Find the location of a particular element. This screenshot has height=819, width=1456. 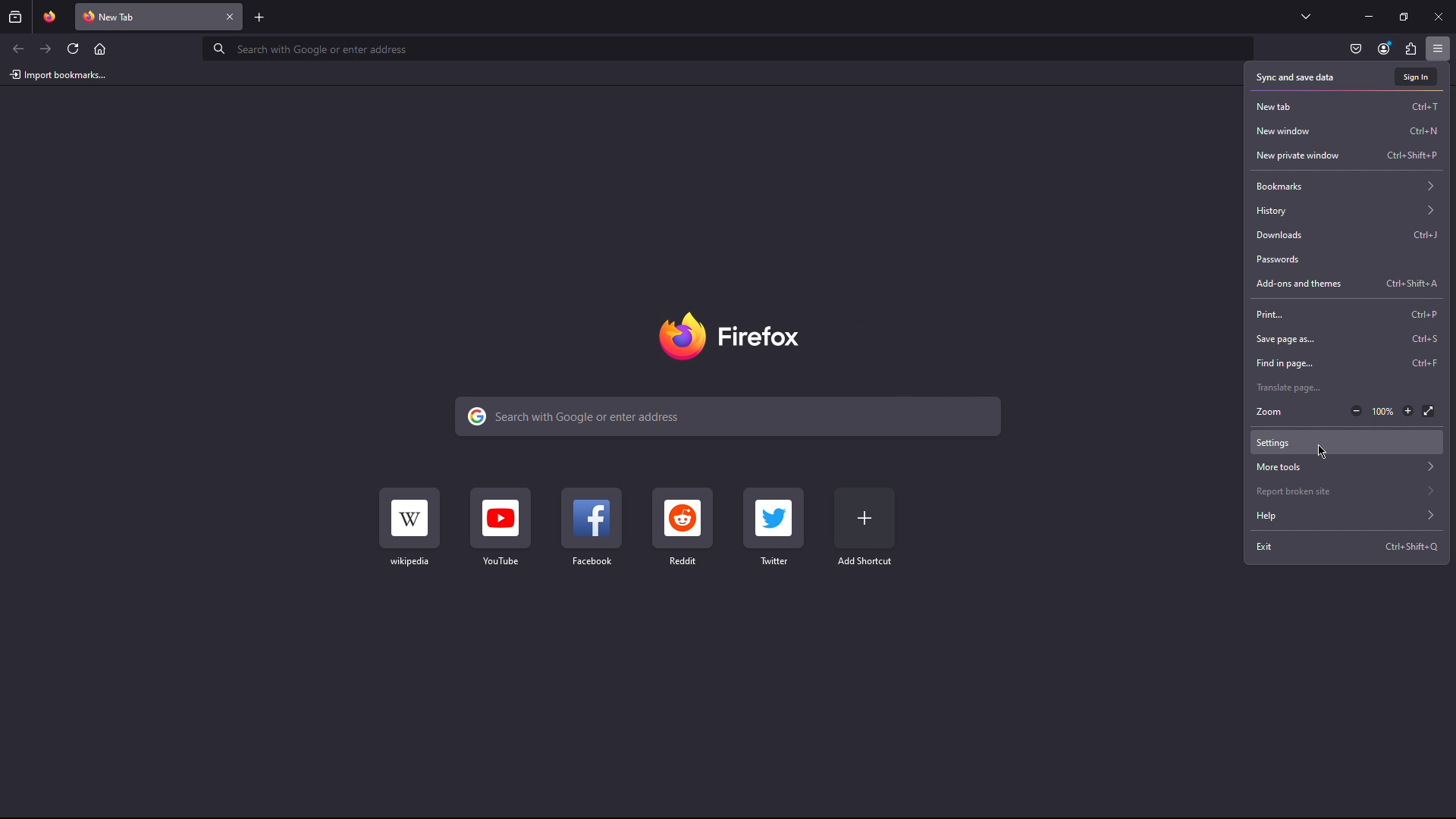

Import bookmarks is located at coordinates (58, 74).